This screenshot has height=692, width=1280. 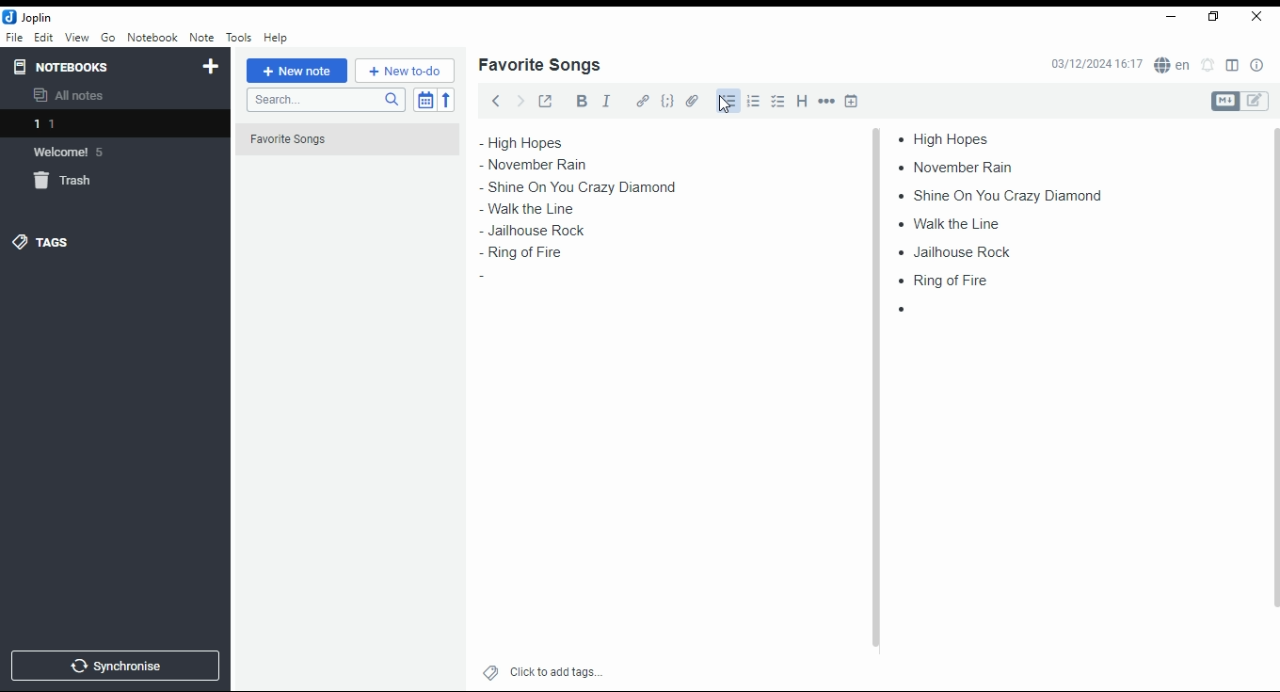 I want to click on toggle layout, so click(x=1233, y=66).